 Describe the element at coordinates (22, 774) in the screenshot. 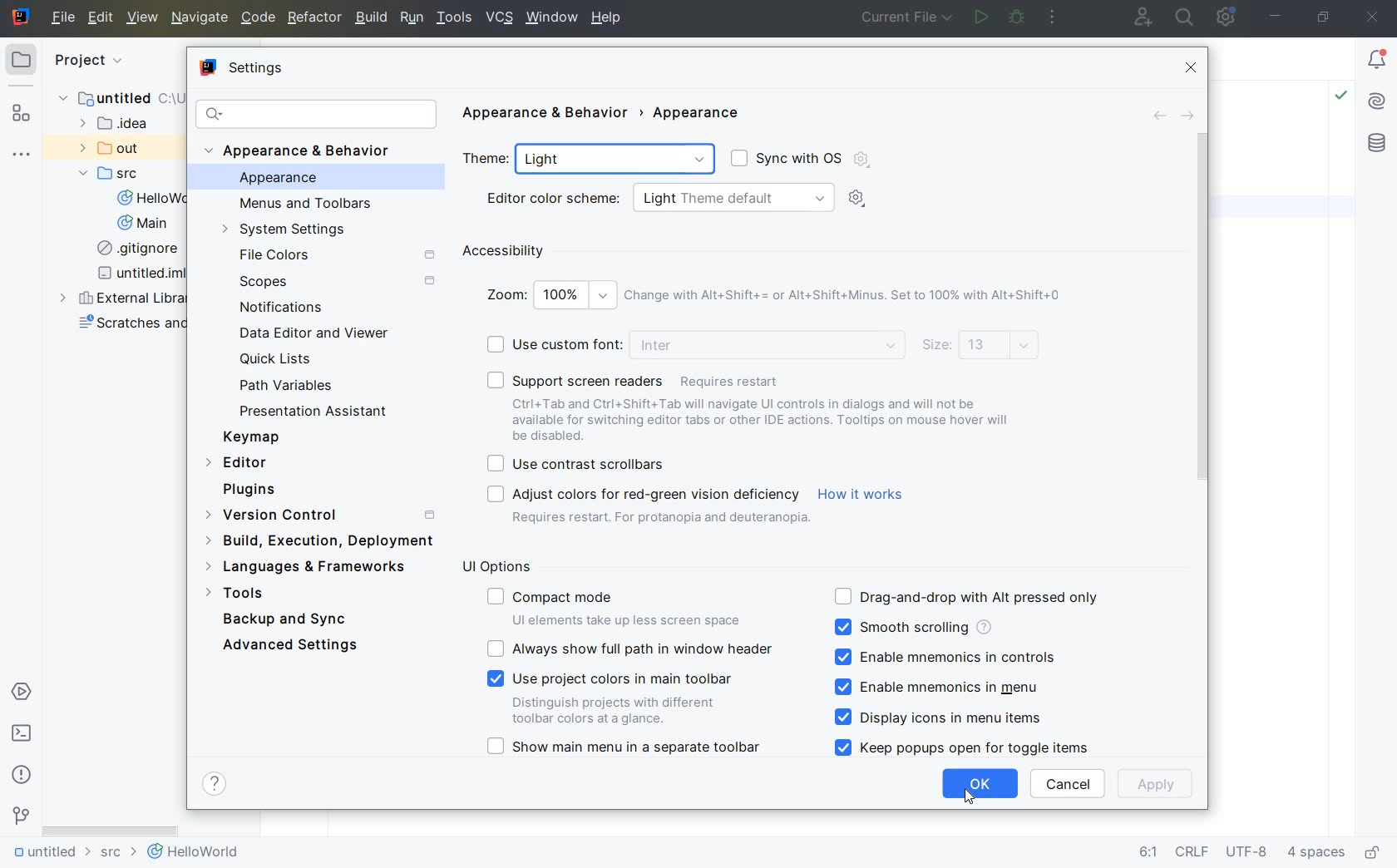

I see `PROBLEMS` at that location.